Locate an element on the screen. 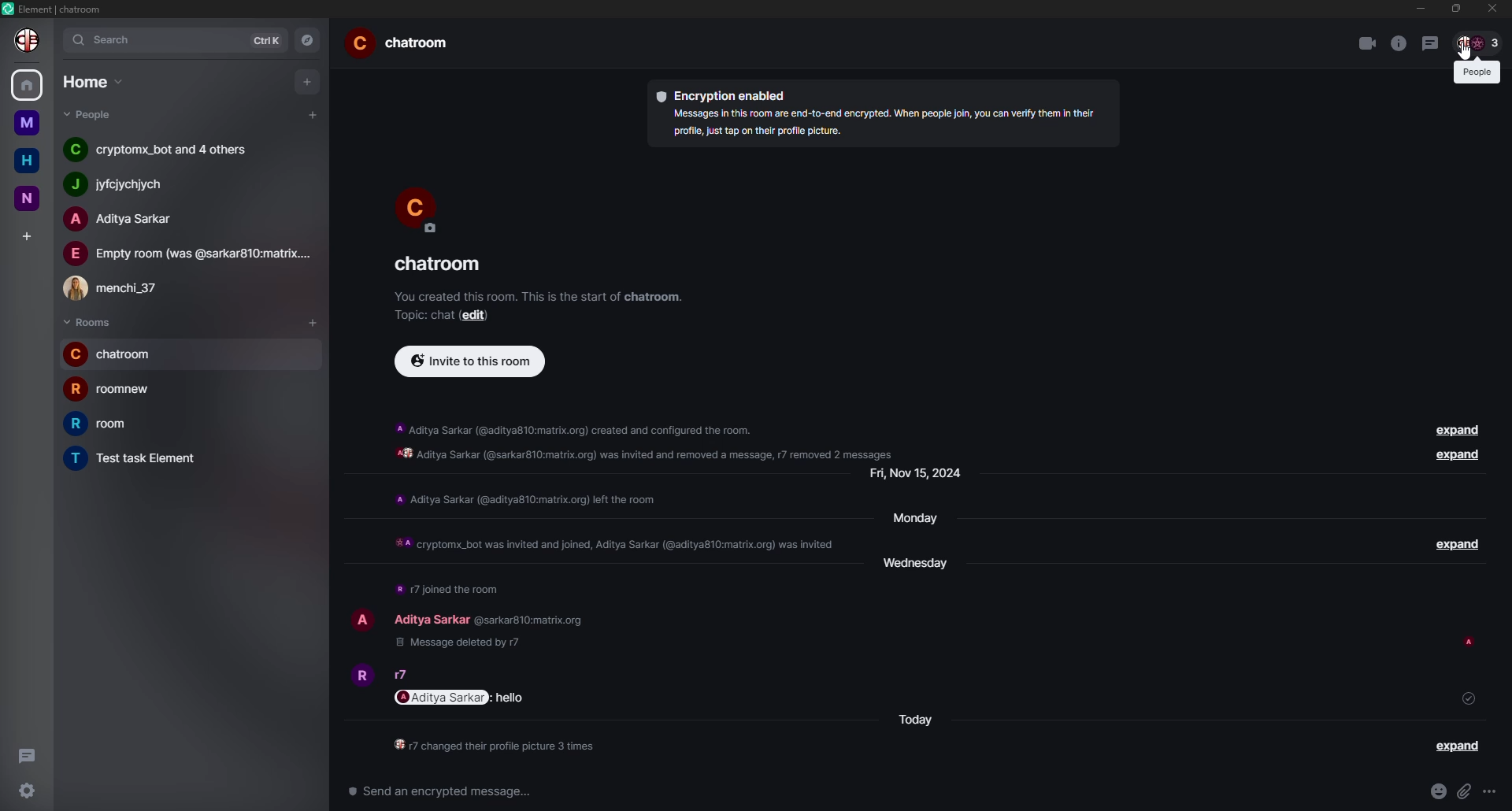  add is located at coordinates (313, 114).